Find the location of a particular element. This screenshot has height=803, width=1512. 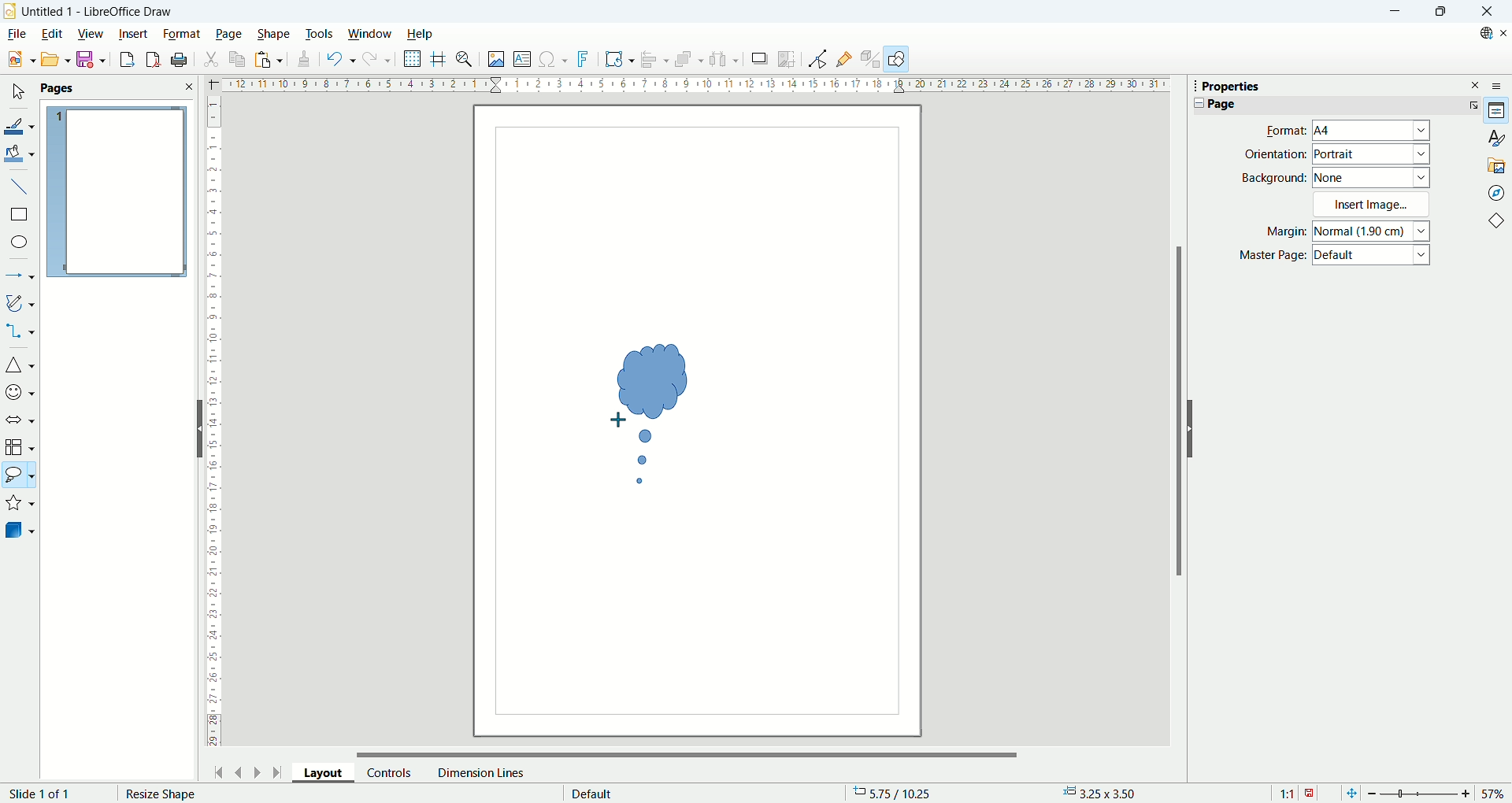

next page is located at coordinates (254, 771).